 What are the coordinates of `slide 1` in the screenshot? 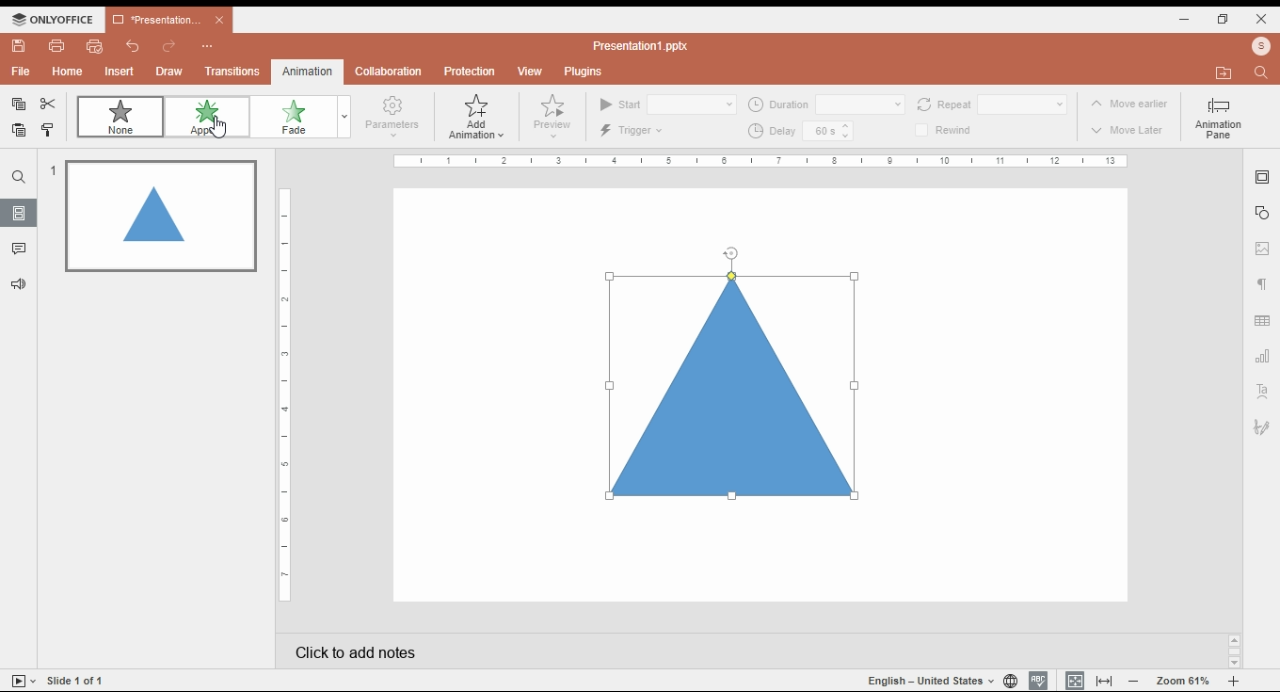 It's located at (169, 218).